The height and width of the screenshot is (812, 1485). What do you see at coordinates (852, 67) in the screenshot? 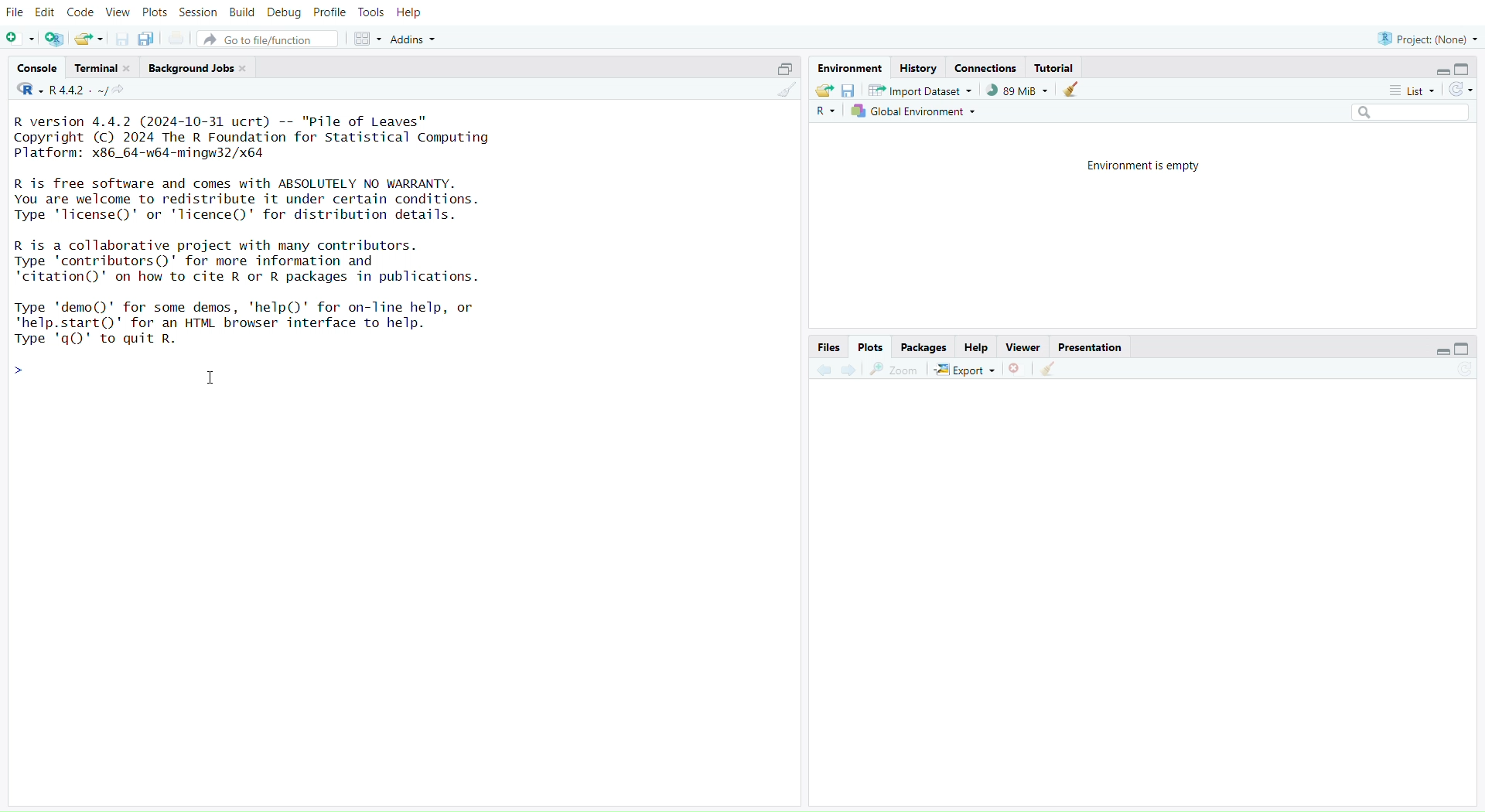
I see `Environment` at bounding box center [852, 67].